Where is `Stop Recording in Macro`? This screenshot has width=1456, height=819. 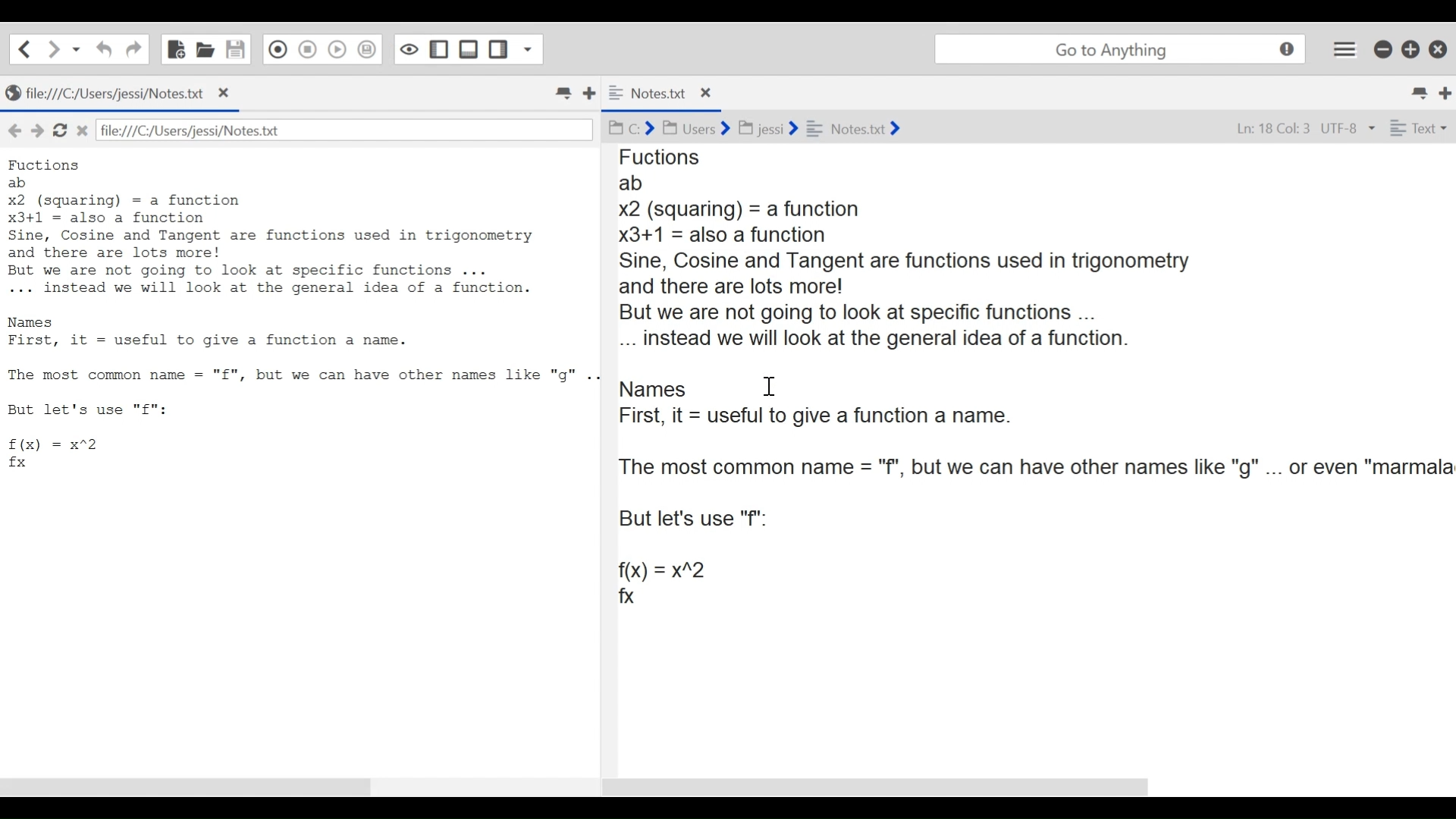
Stop Recording in Macro is located at coordinates (306, 50).